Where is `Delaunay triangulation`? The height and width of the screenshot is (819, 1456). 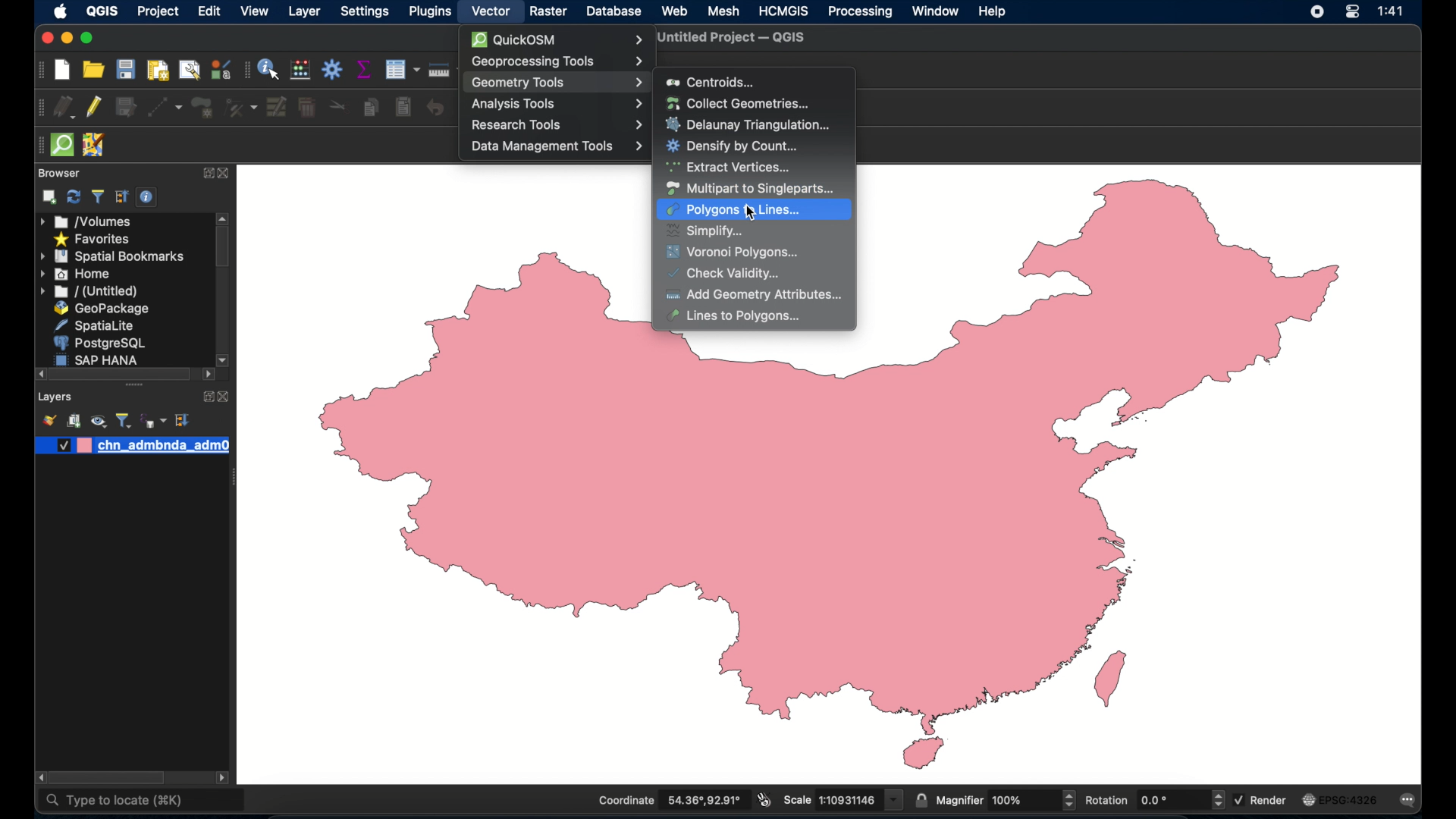
Delaunay triangulation is located at coordinates (751, 124).